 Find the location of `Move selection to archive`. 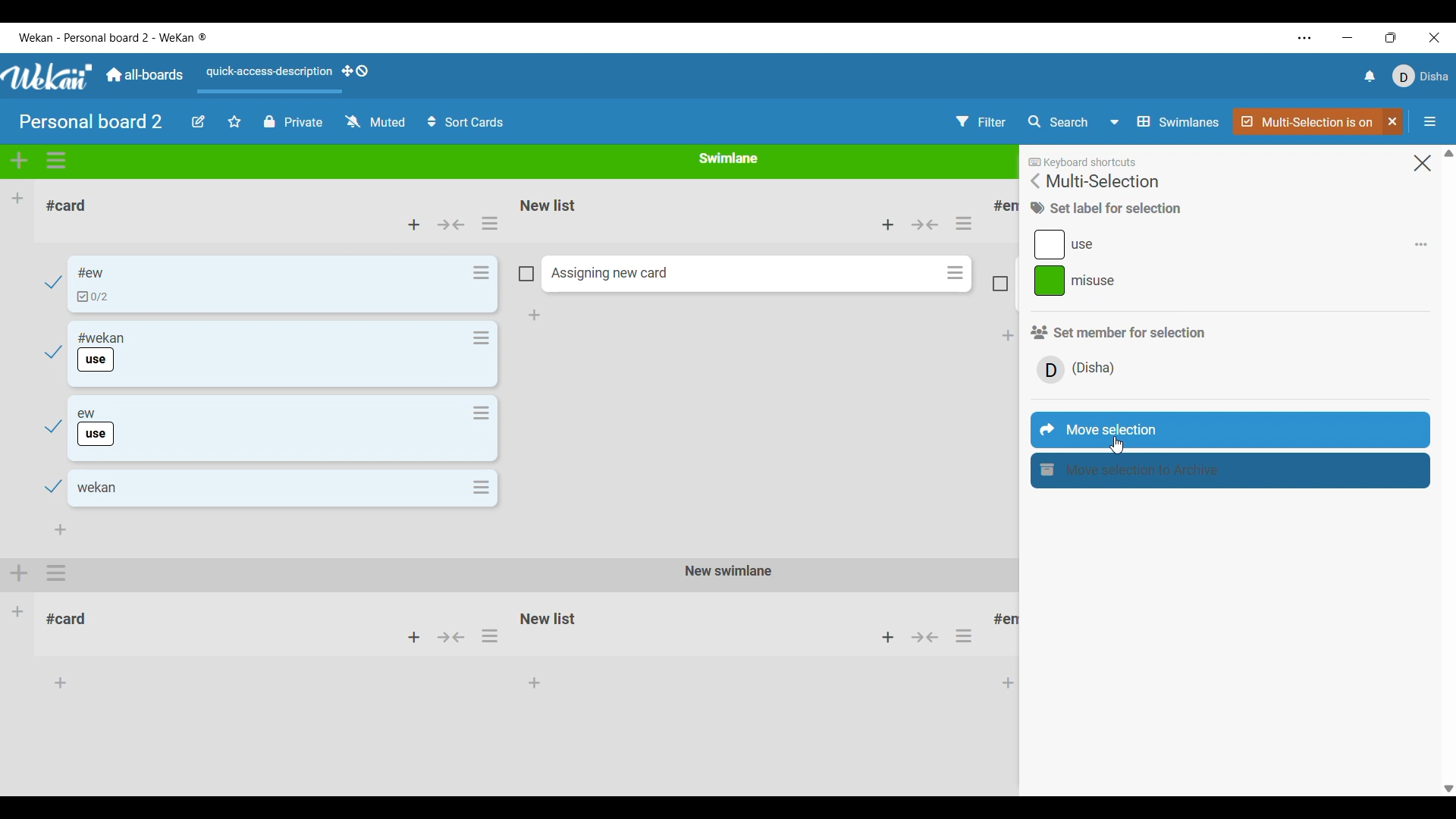

Move selection to archive is located at coordinates (1230, 471).